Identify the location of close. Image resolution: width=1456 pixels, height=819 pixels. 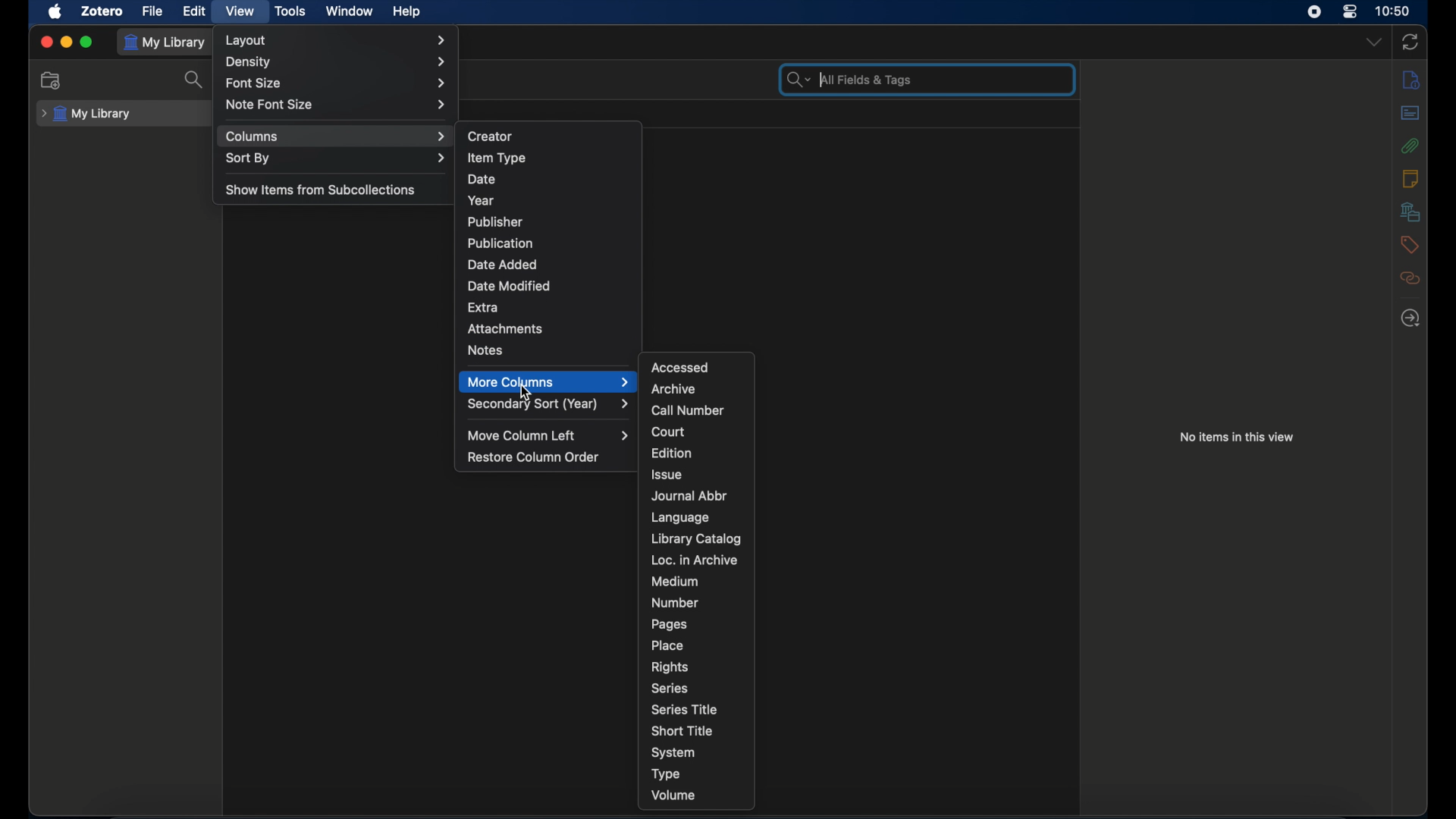
(45, 41).